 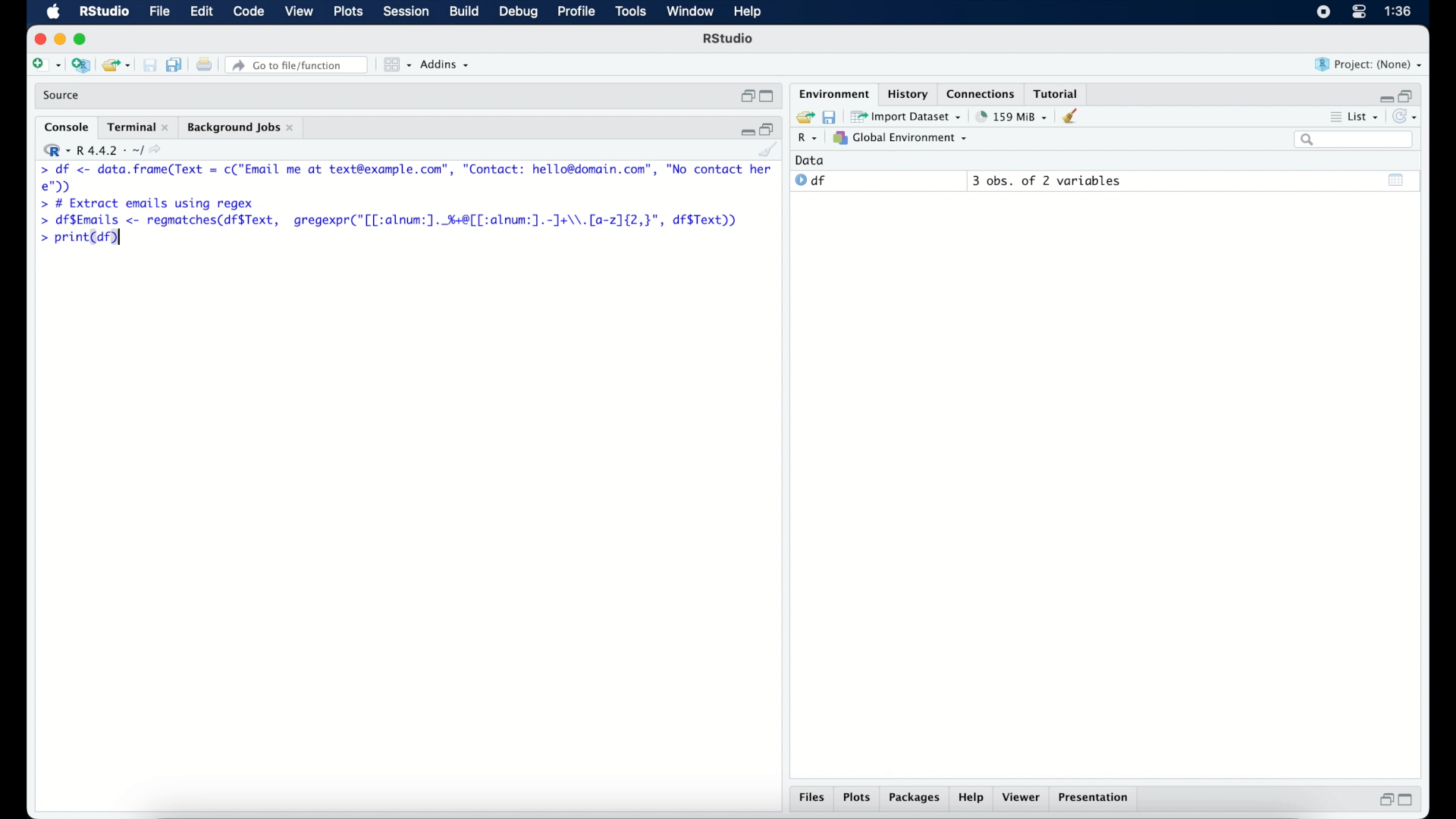 What do you see at coordinates (691, 13) in the screenshot?
I see `window` at bounding box center [691, 13].